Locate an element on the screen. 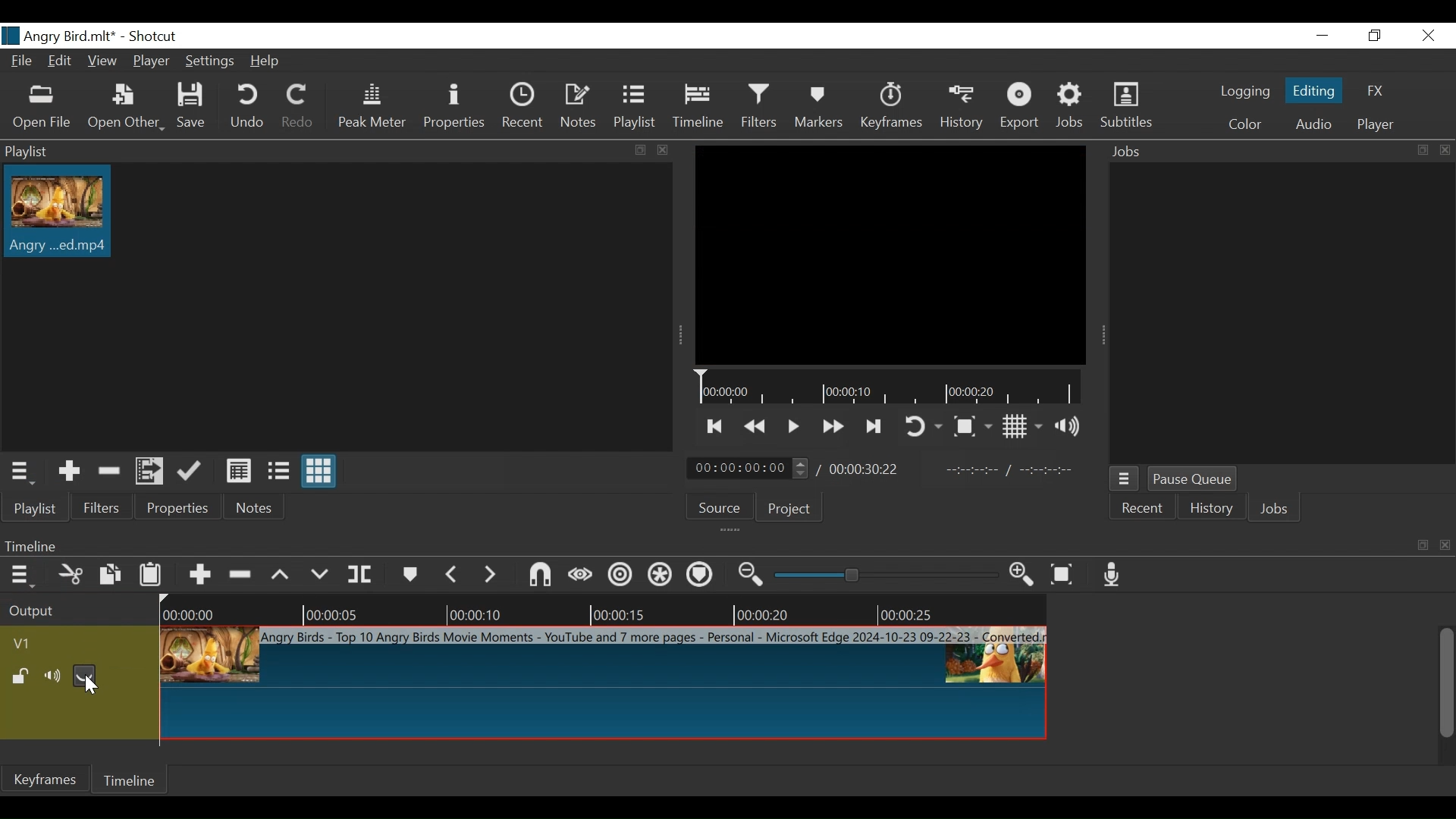 This screenshot has height=819, width=1456. Recent is located at coordinates (524, 106).